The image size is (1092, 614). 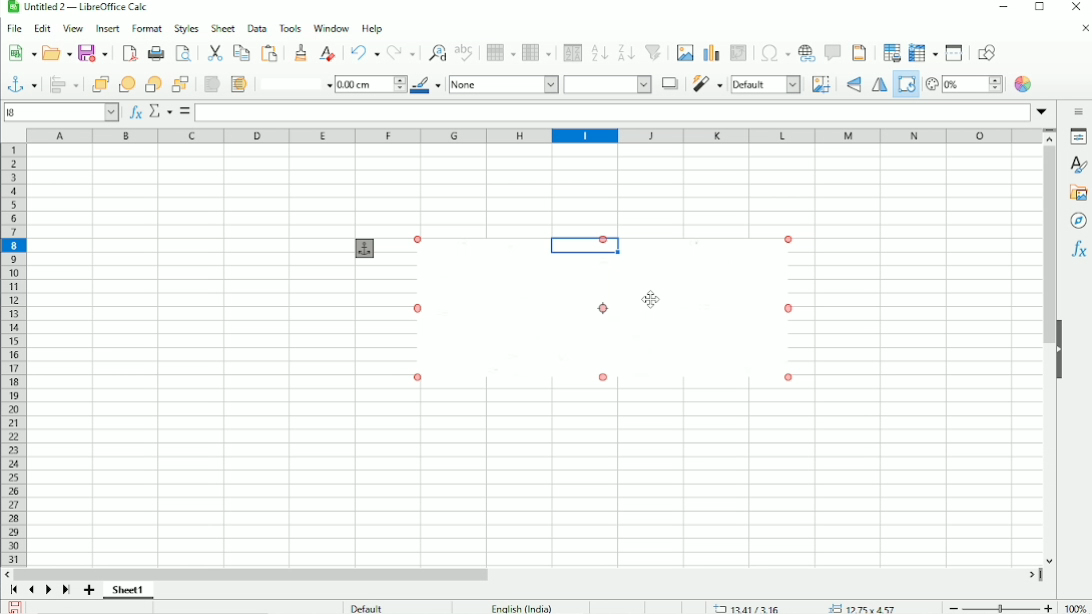 I want to click on Bring to front, so click(x=96, y=84).